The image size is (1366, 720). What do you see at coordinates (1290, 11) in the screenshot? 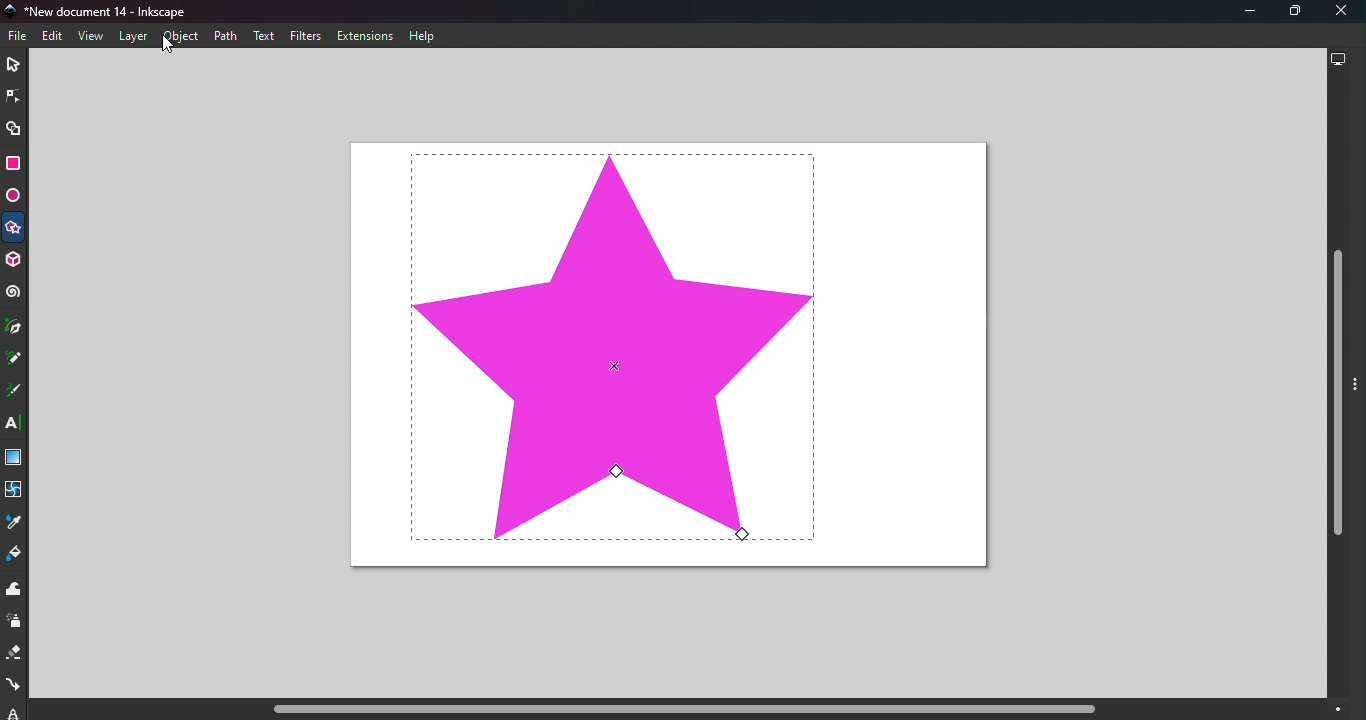
I see `Maximize tool` at bounding box center [1290, 11].